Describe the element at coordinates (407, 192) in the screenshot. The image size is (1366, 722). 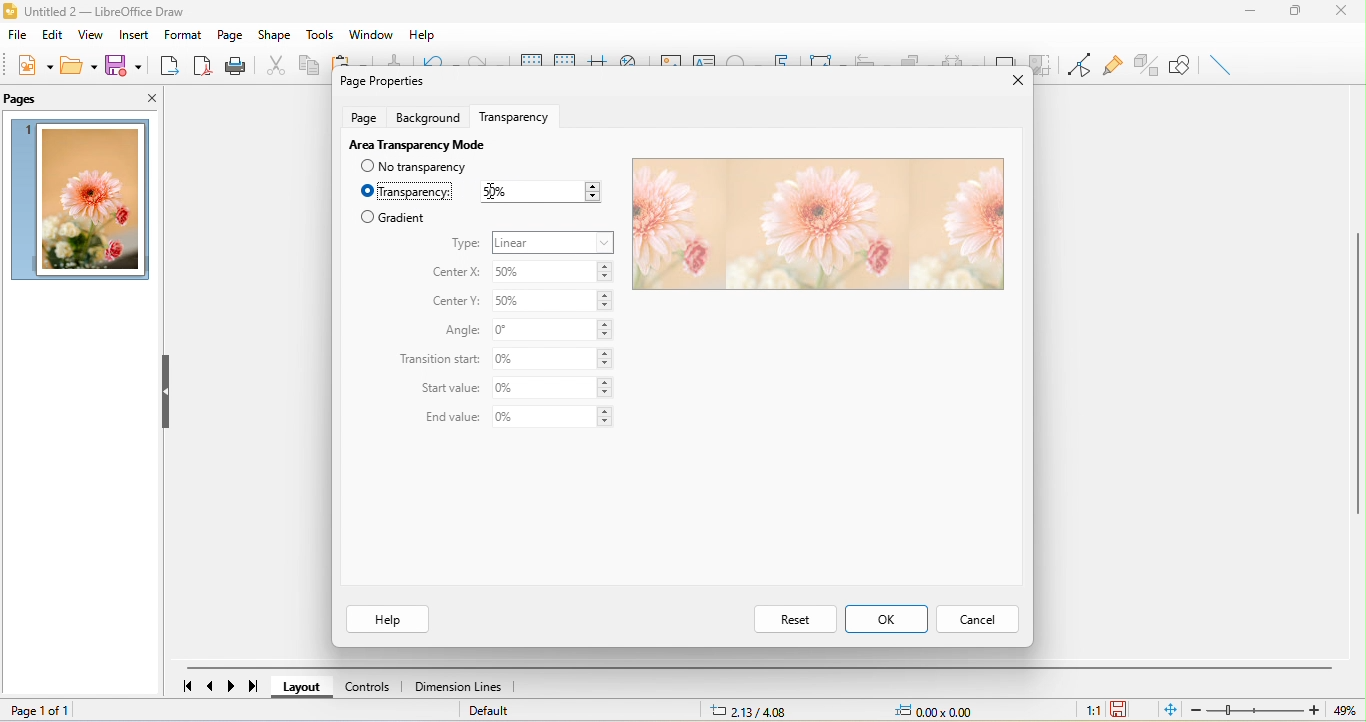
I see `transparency` at that location.